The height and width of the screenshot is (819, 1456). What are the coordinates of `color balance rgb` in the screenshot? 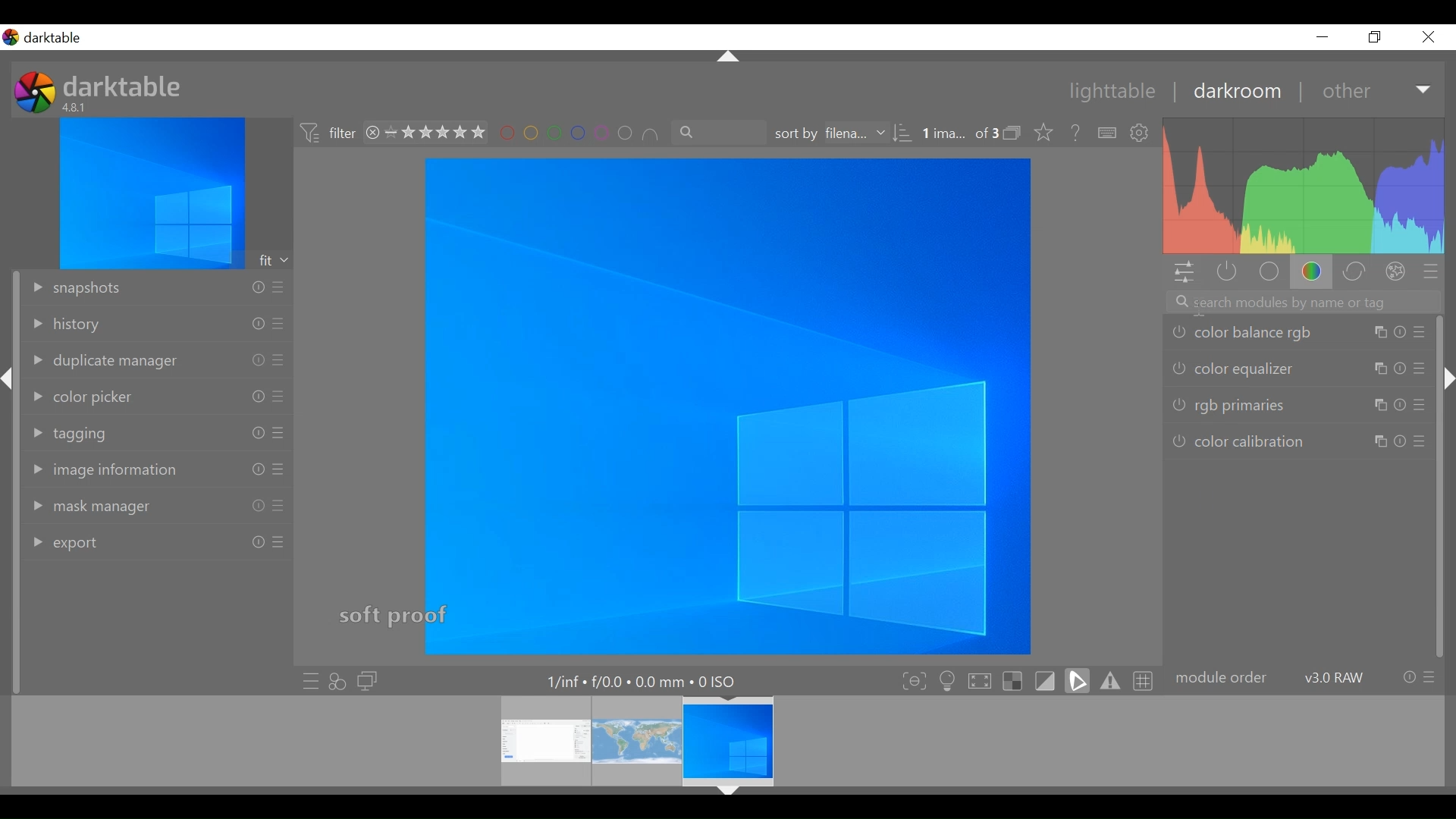 It's located at (1241, 332).